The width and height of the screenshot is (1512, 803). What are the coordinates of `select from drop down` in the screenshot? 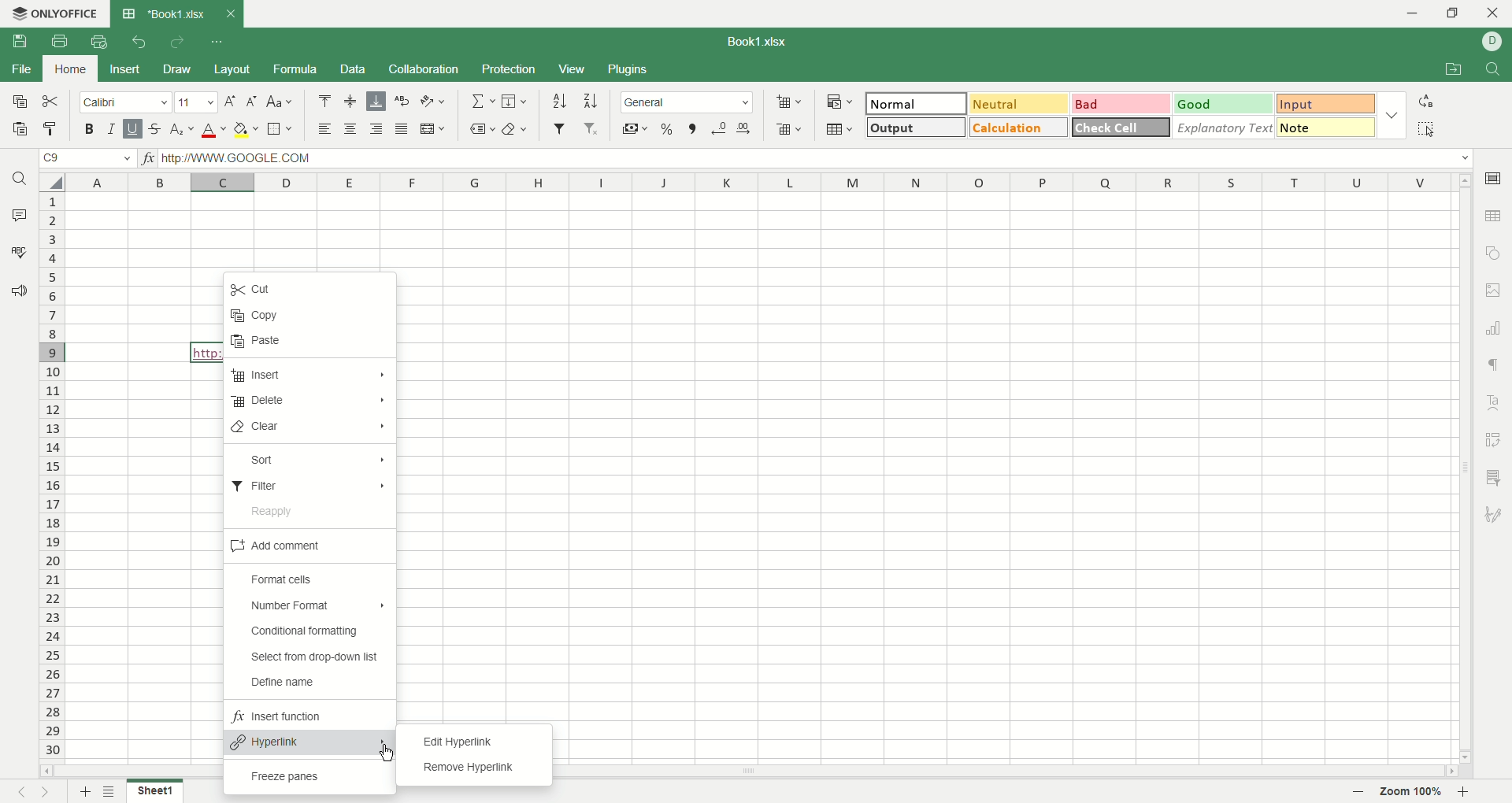 It's located at (313, 656).